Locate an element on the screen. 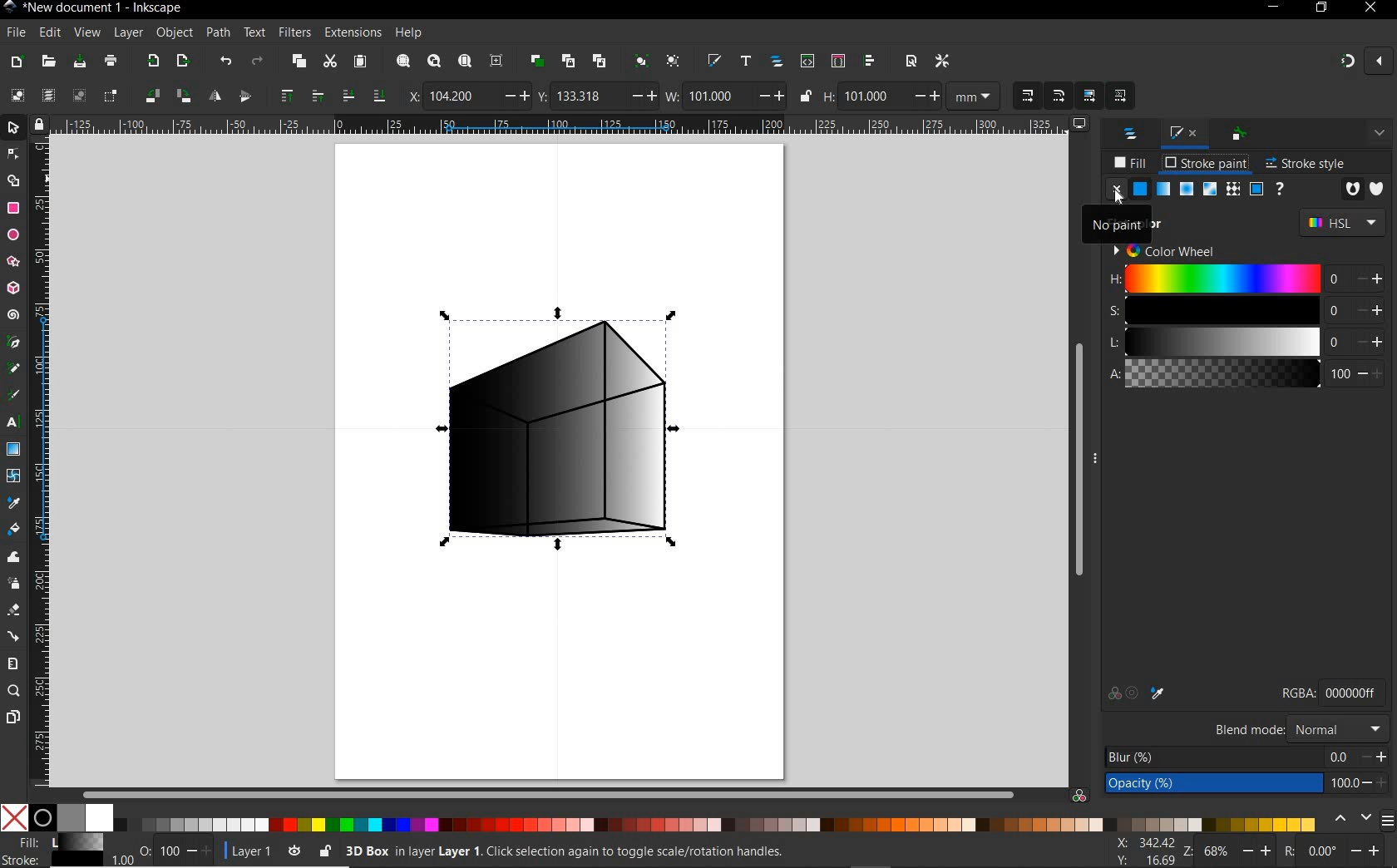 The image size is (1397, 868). s is located at coordinates (1223, 309).